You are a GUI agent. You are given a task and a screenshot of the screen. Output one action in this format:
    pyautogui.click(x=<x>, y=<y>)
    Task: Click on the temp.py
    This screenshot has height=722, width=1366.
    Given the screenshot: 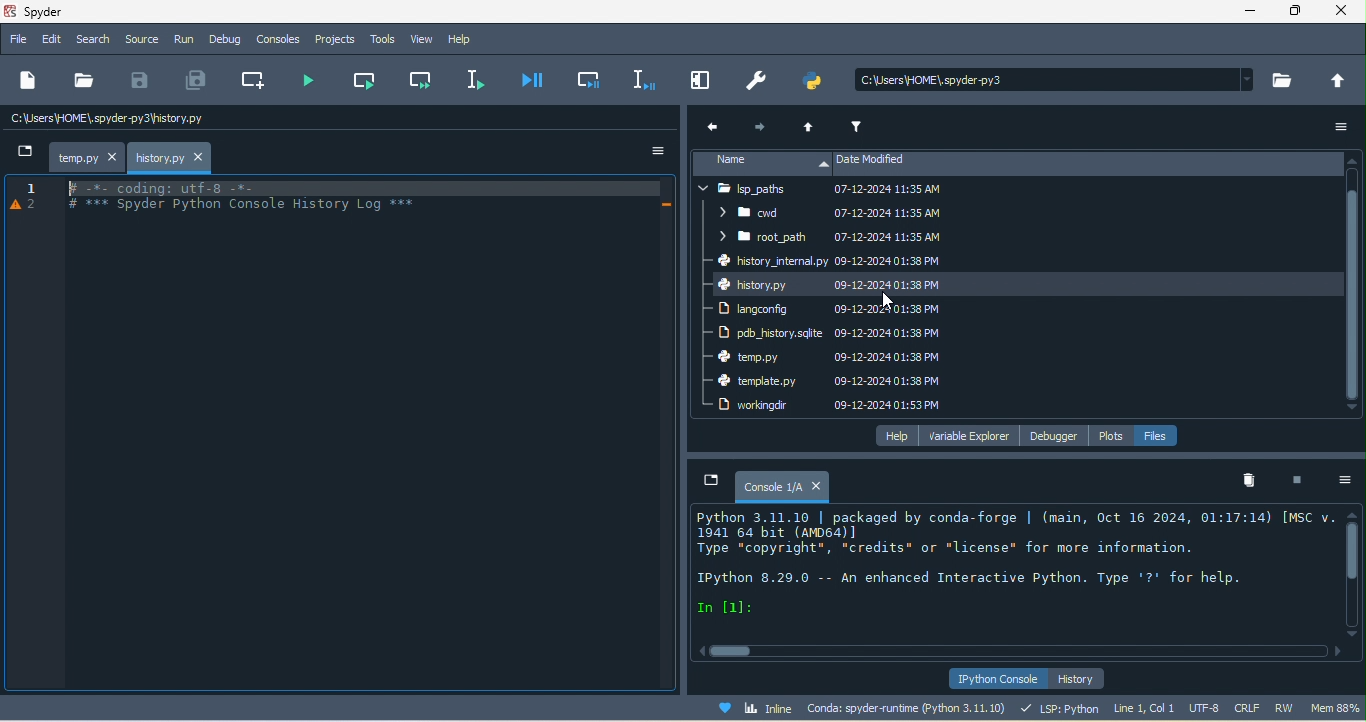 What is the action you would take?
    pyautogui.click(x=758, y=359)
    